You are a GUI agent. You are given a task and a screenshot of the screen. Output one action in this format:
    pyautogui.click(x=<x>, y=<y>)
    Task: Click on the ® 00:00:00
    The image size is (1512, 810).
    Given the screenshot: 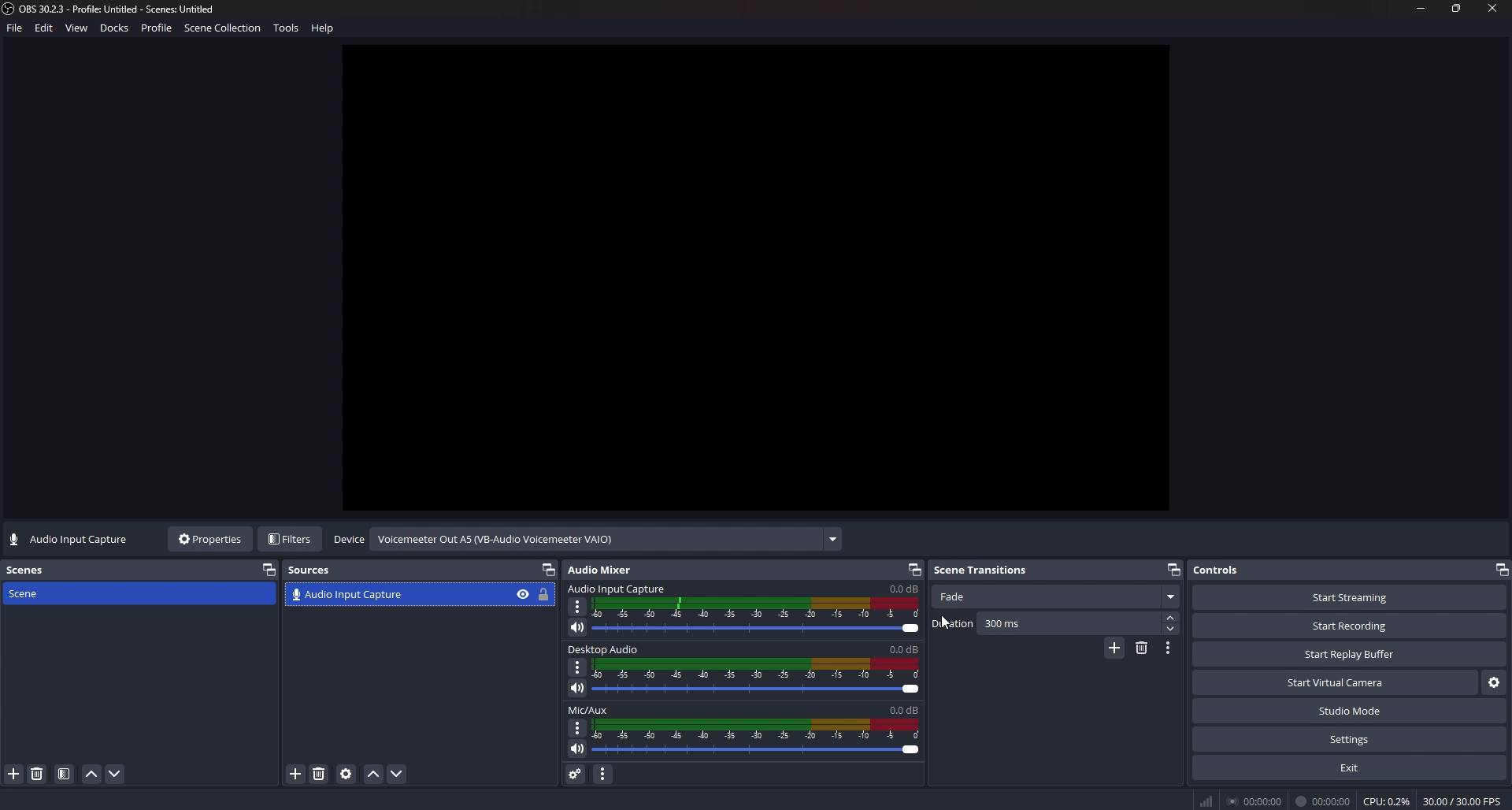 What is the action you would take?
    pyautogui.click(x=1240, y=800)
    